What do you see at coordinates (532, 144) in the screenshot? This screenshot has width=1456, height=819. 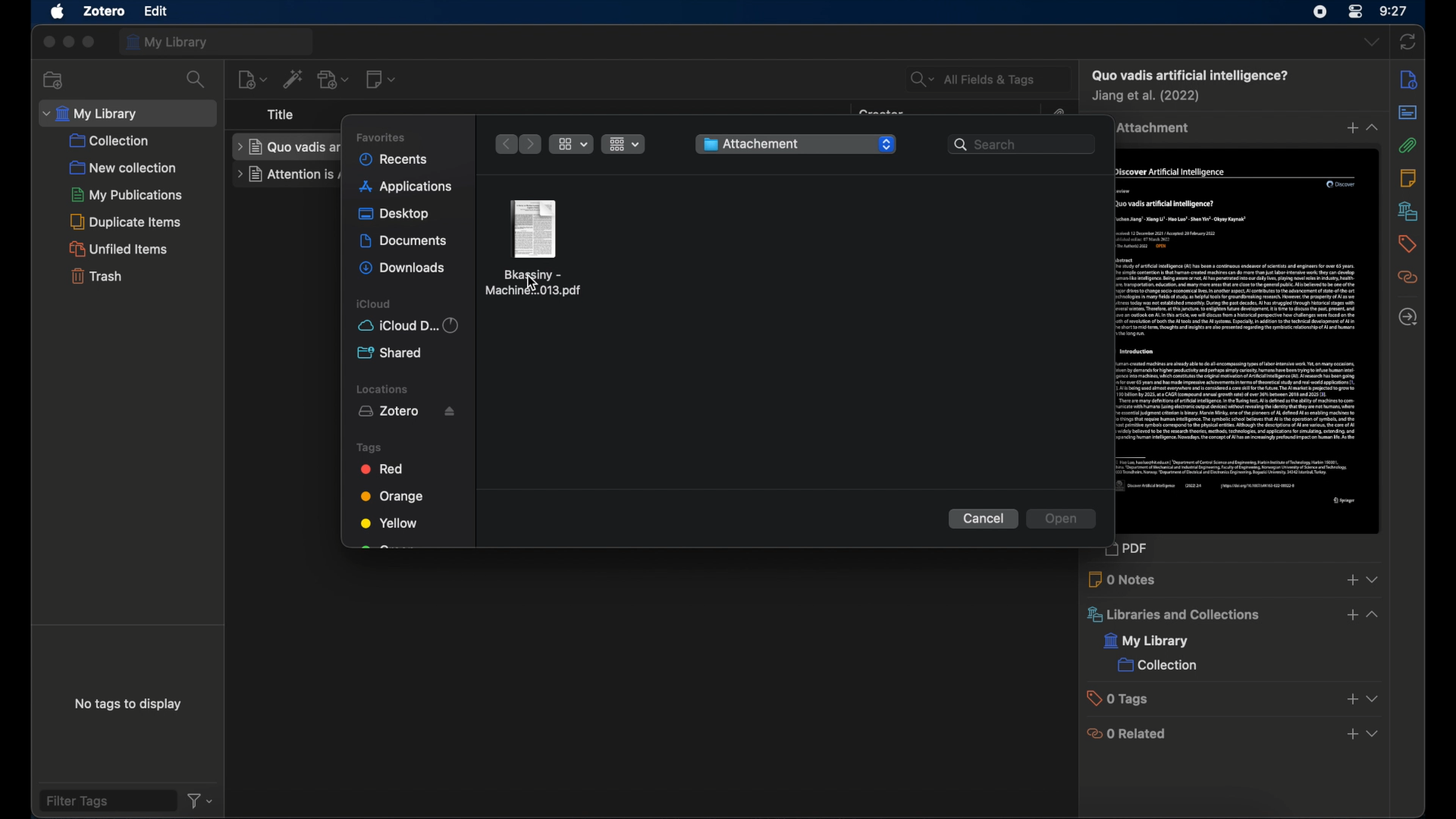 I see `next` at bounding box center [532, 144].